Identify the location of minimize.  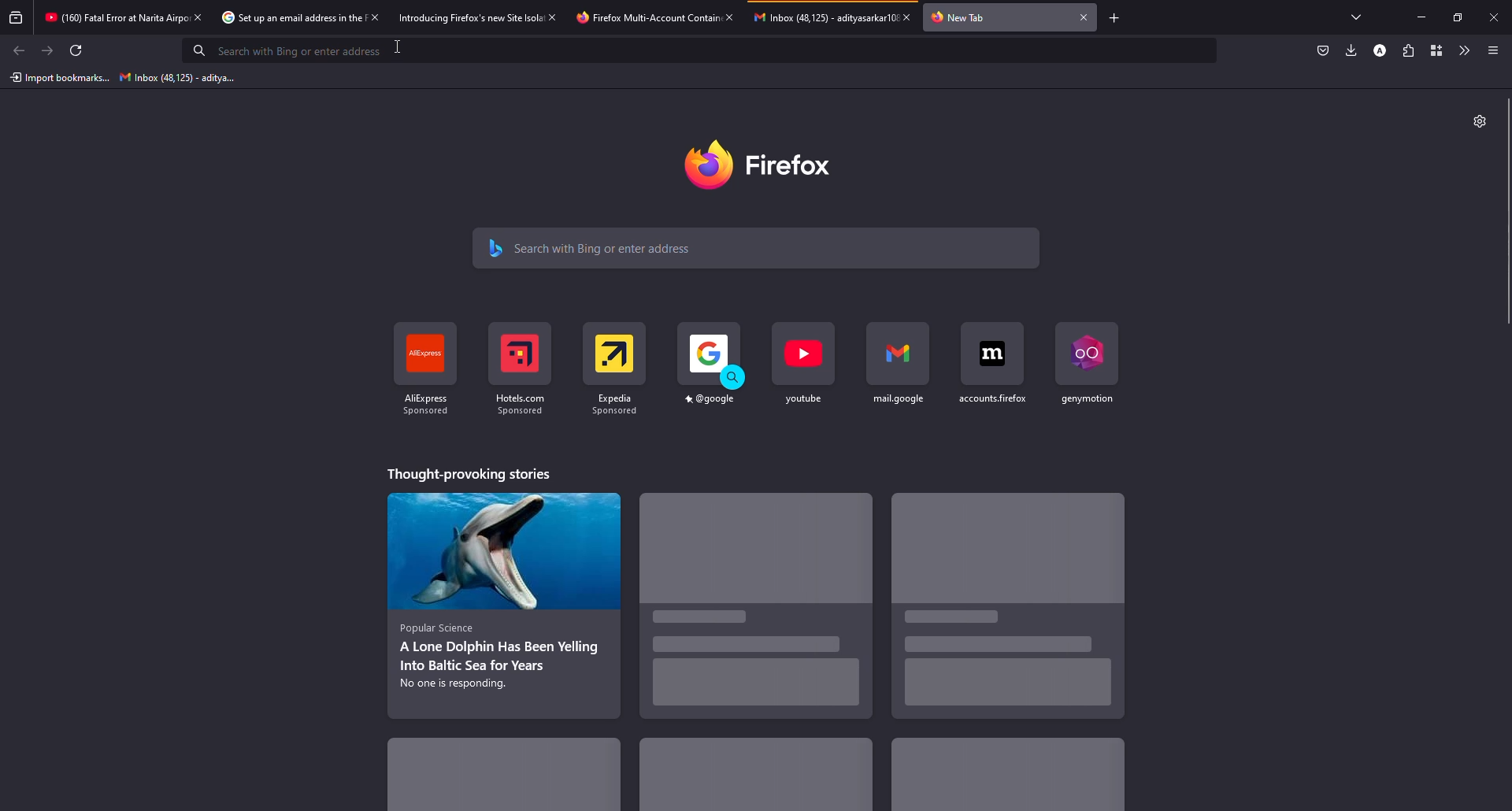
(1421, 17).